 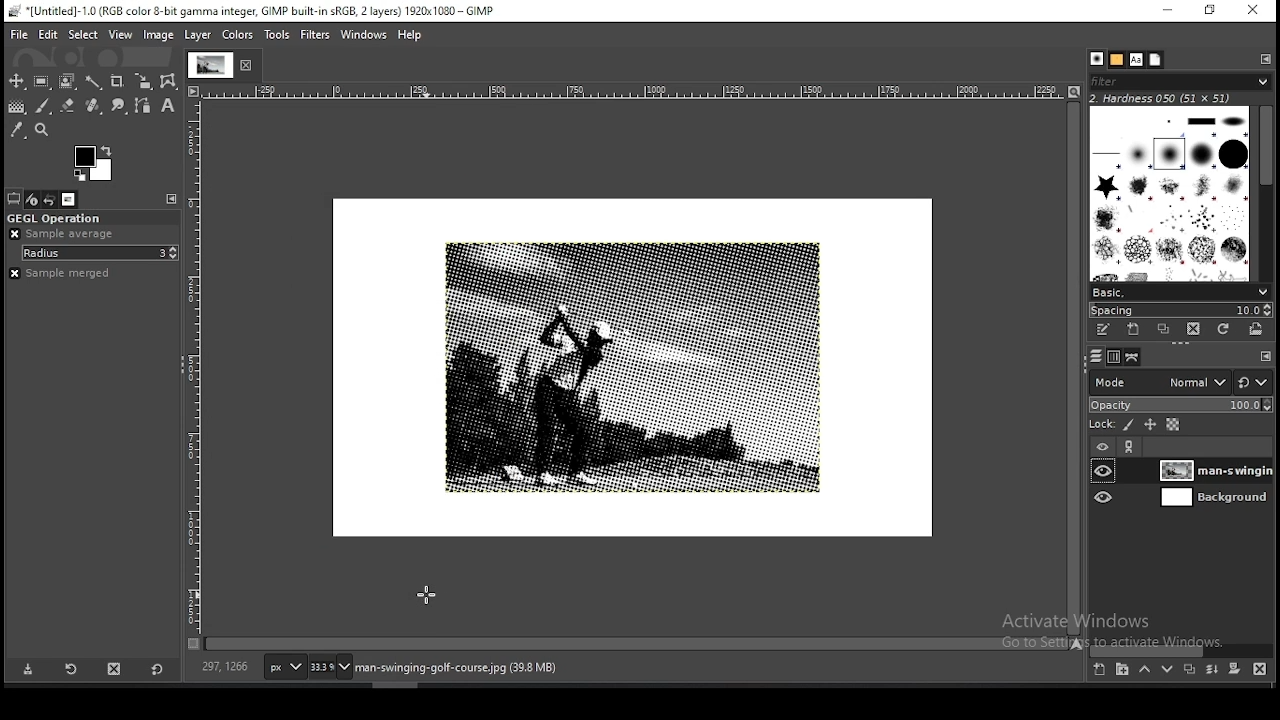 I want to click on gegl operation, so click(x=92, y=216).